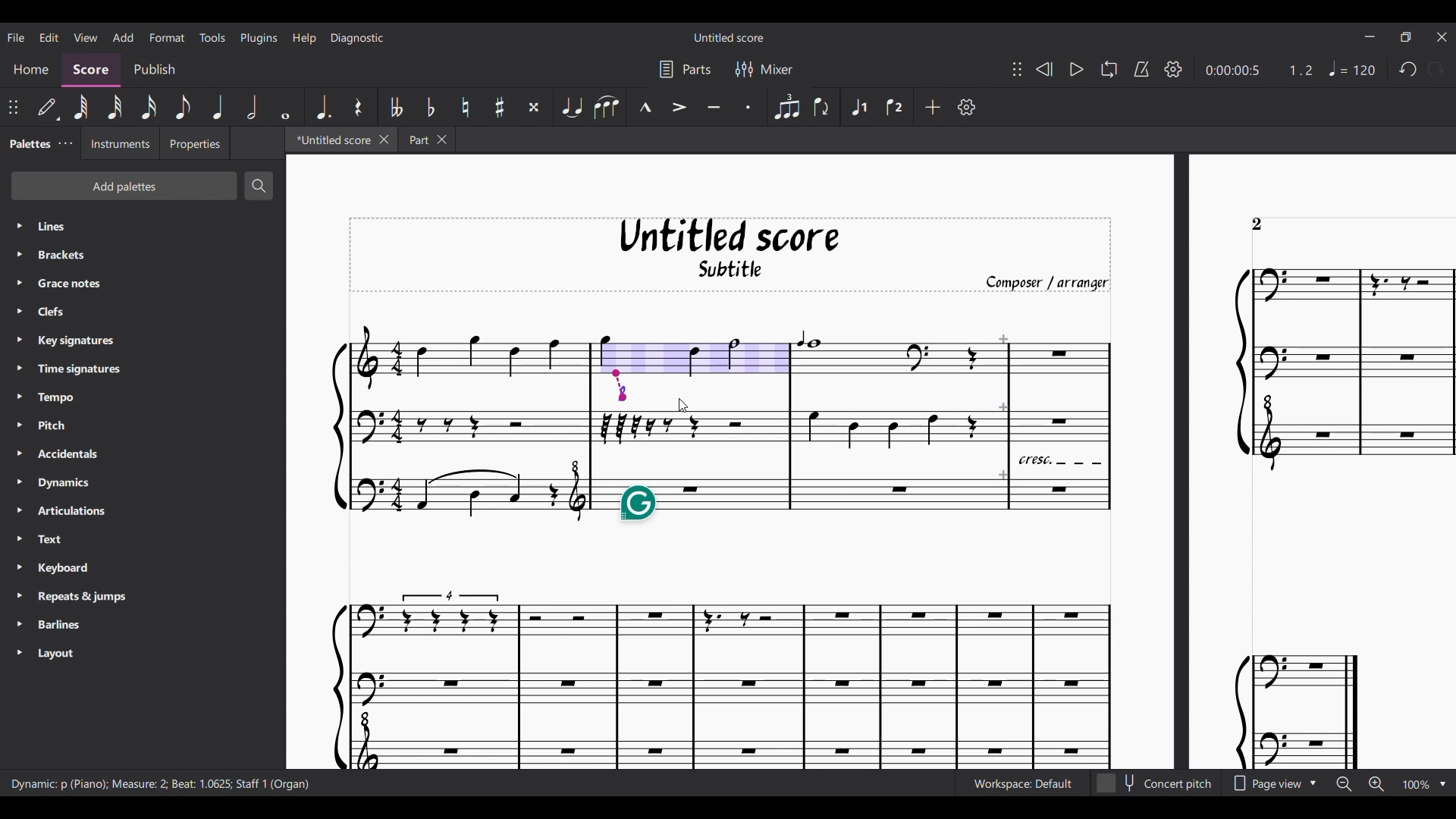 The width and height of the screenshot is (1456, 819). Describe the element at coordinates (1260, 70) in the screenshot. I see `Current duration and ratio` at that location.